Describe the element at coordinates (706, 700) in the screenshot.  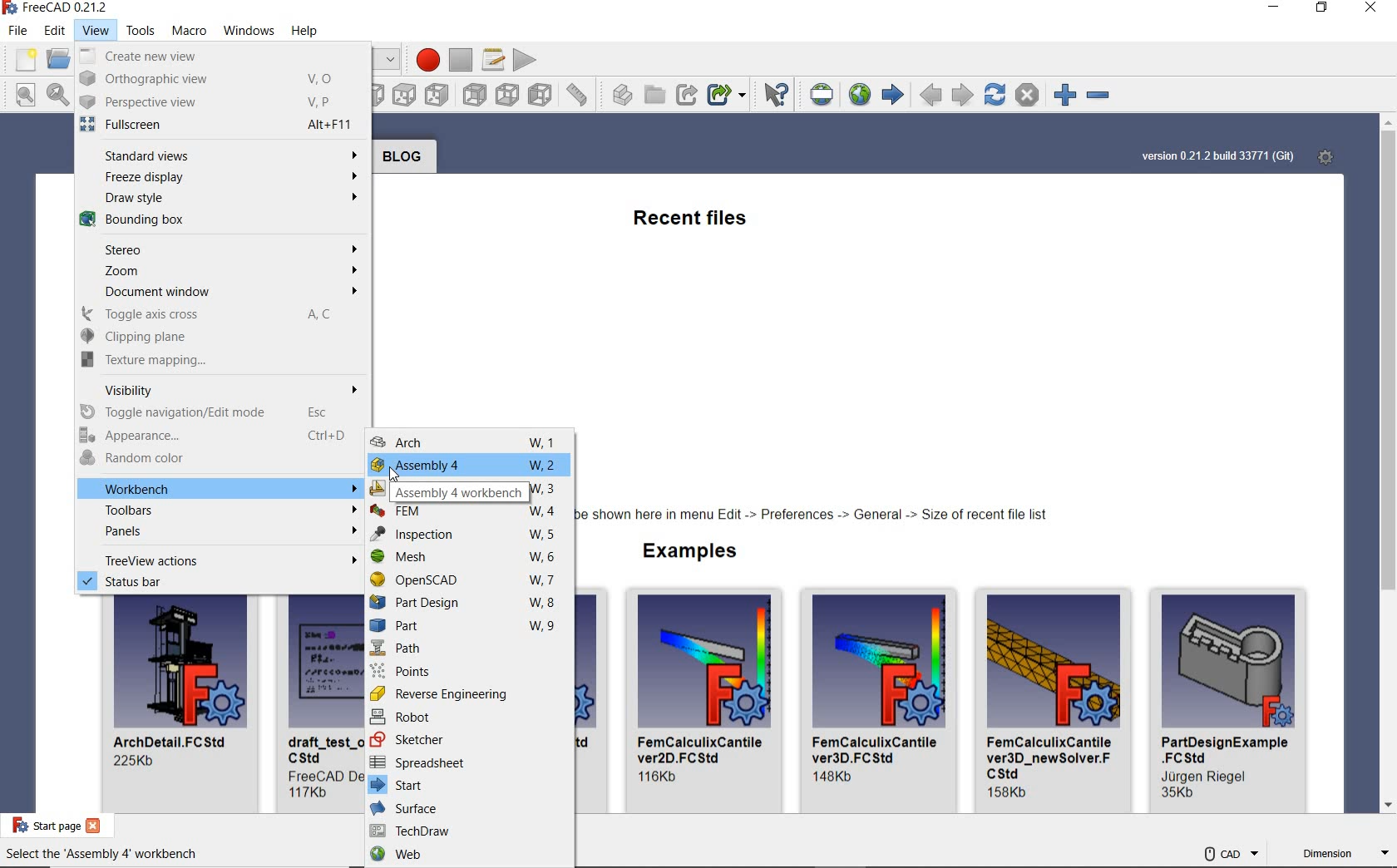
I see `FemCalculix` at that location.